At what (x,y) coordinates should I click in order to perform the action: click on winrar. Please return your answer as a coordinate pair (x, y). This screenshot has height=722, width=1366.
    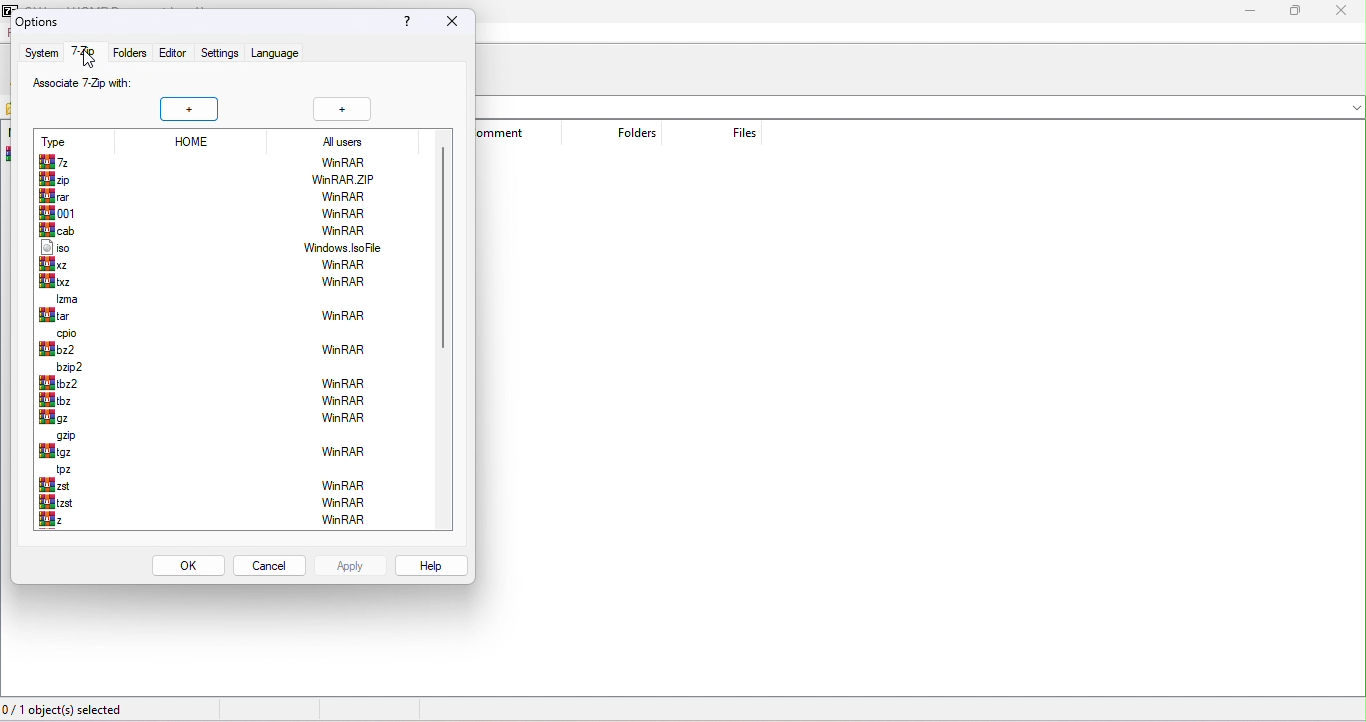
    Looking at the image, I should click on (346, 265).